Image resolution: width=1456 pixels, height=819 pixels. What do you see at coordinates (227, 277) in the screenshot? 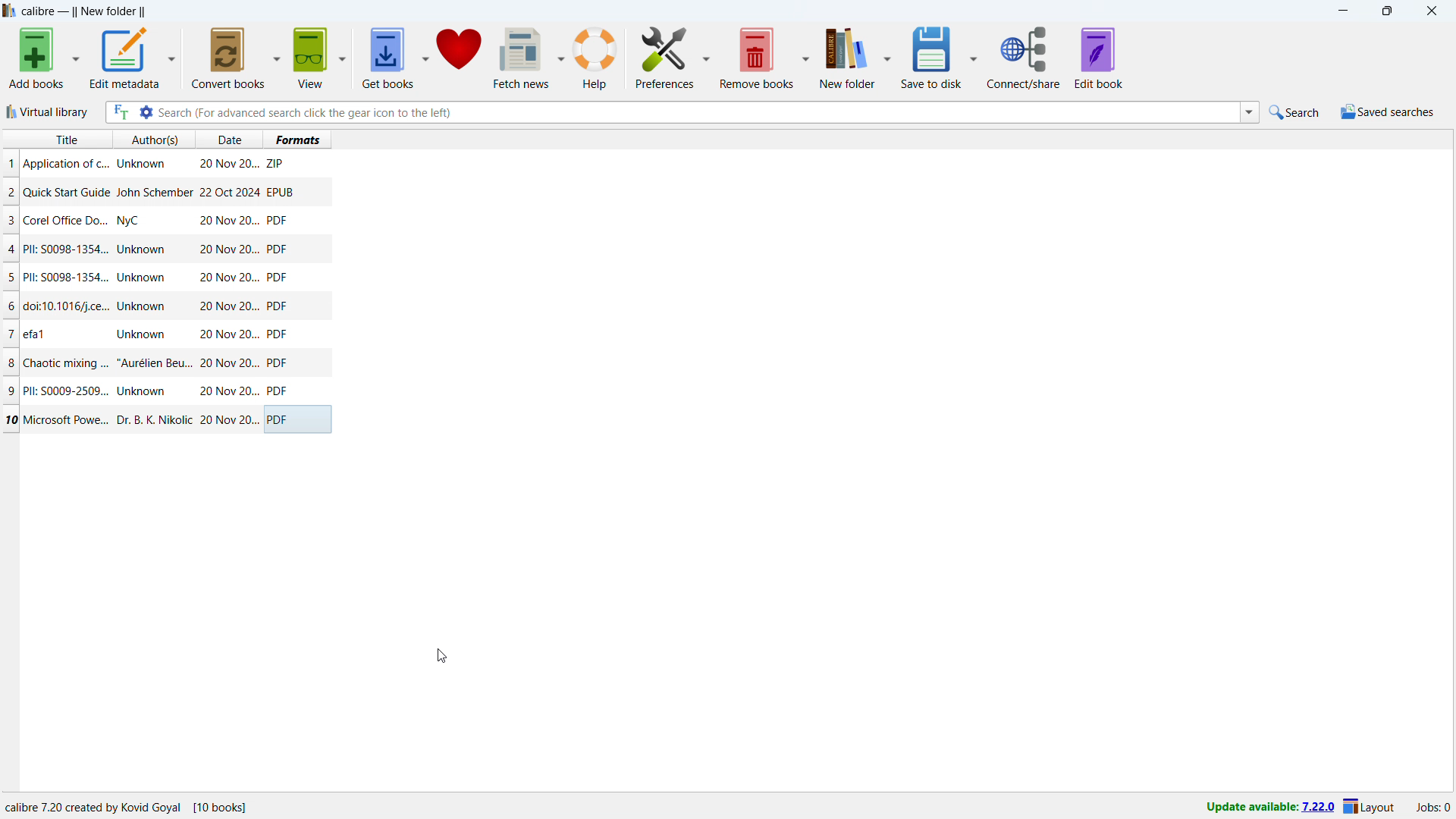
I see `20 Nov 20...` at bounding box center [227, 277].